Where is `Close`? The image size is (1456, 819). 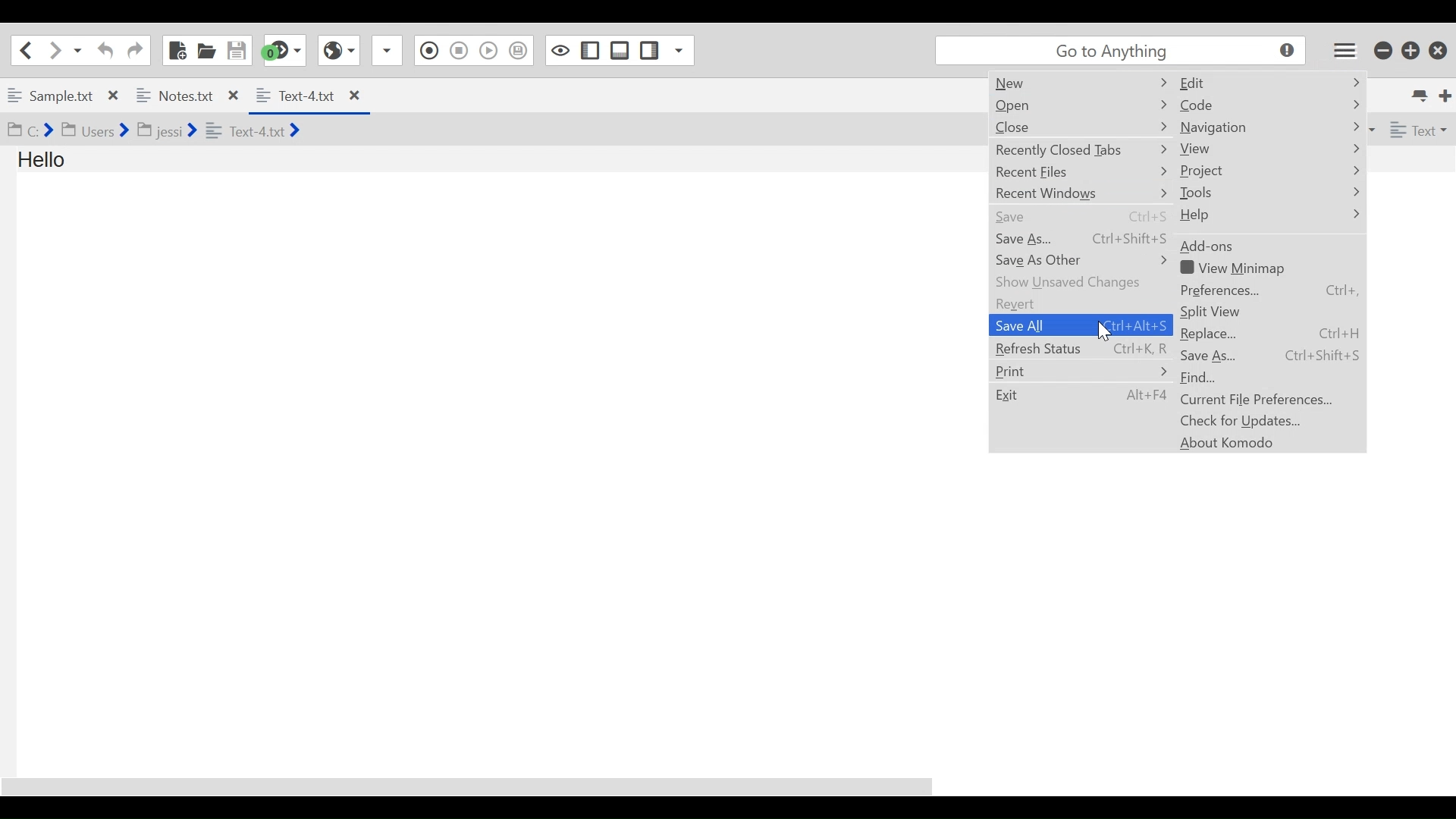
Close is located at coordinates (1439, 51).